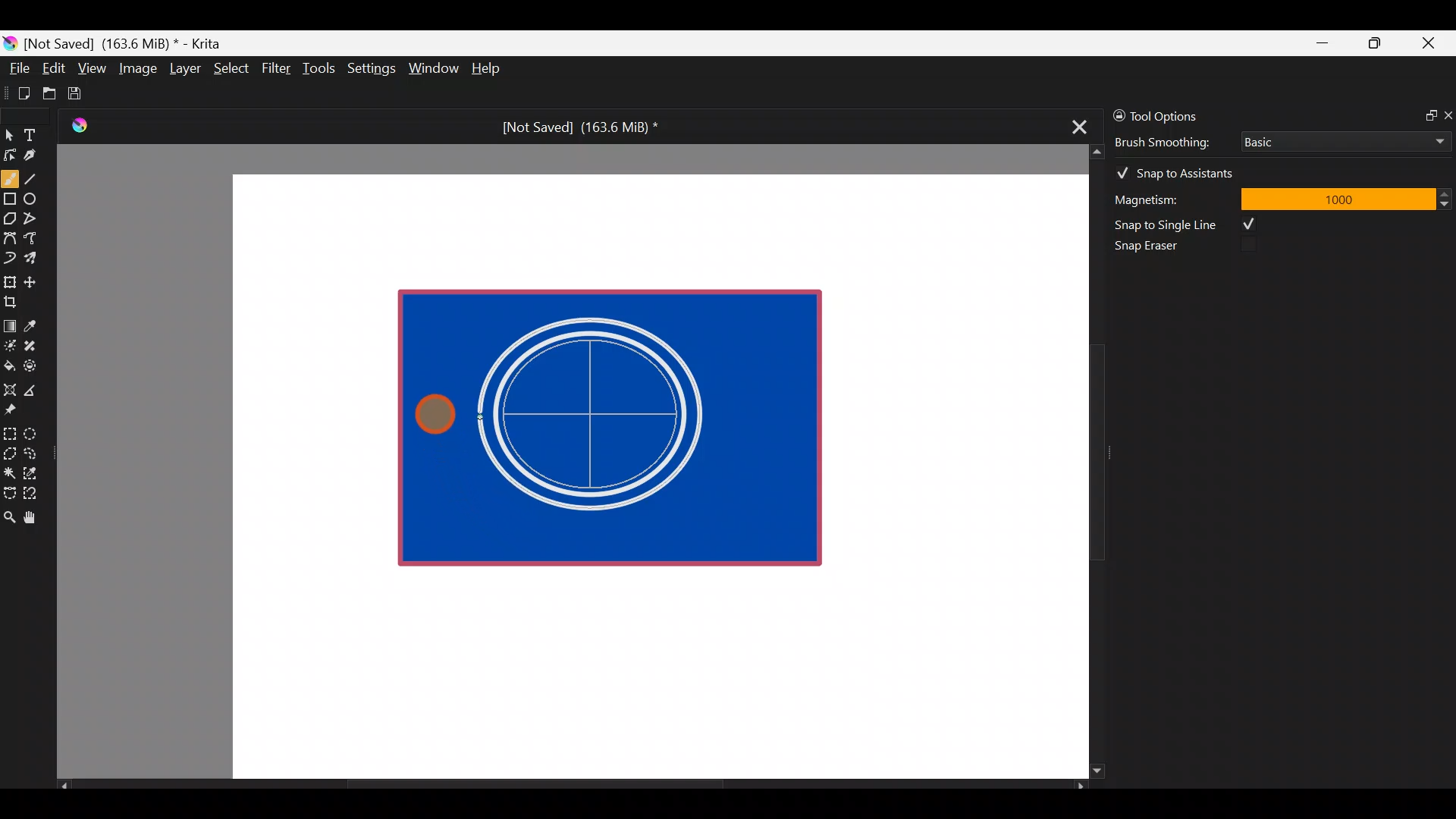 The height and width of the screenshot is (819, 1456). What do you see at coordinates (36, 431) in the screenshot?
I see `Elliptical selection tool` at bounding box center [36, 431].